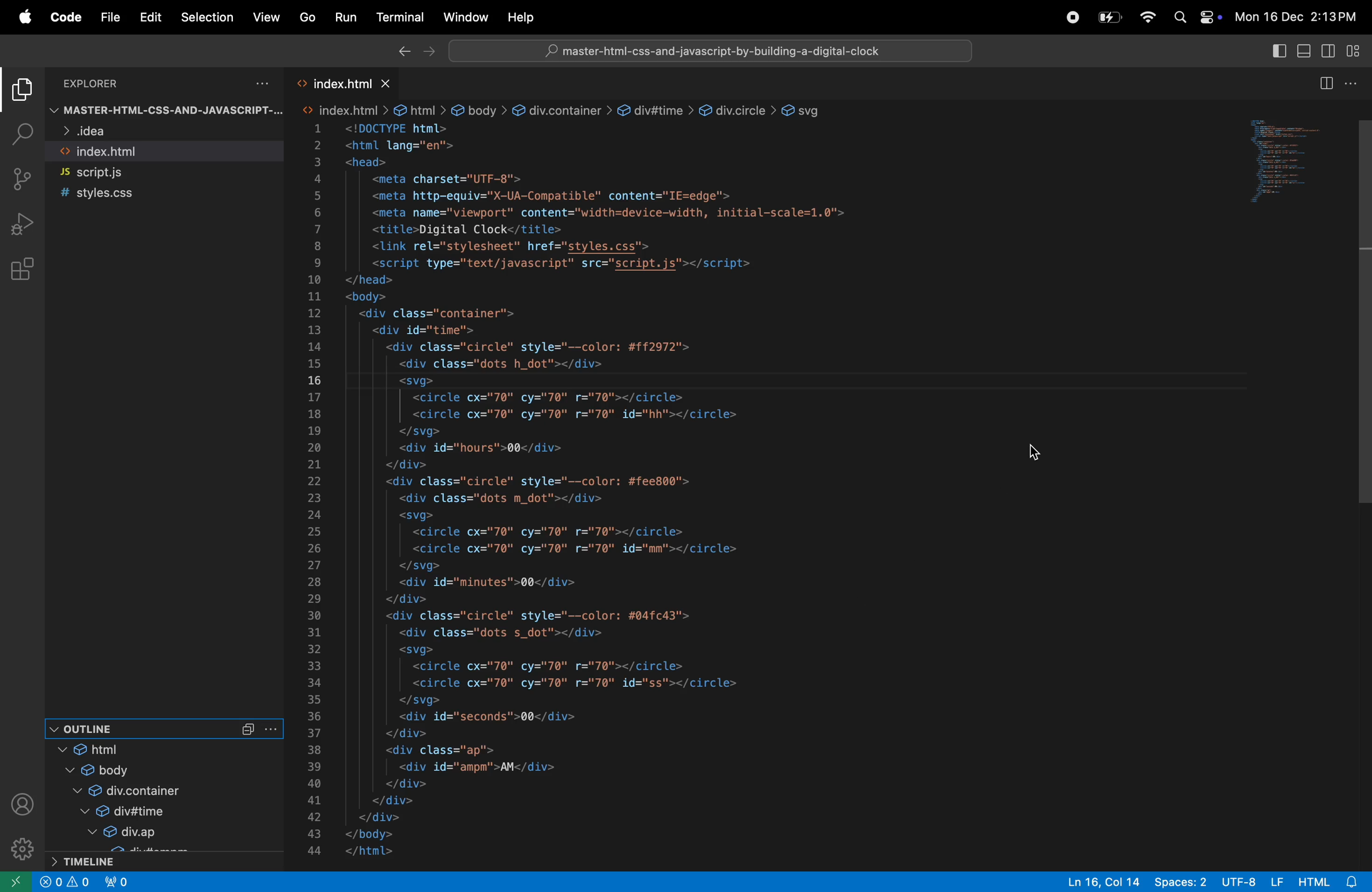 The image size is (1372, 892). What do you see at coordinates (161, 832) in the screenshot?
I see `div ap` at bounding box center [161, 832].